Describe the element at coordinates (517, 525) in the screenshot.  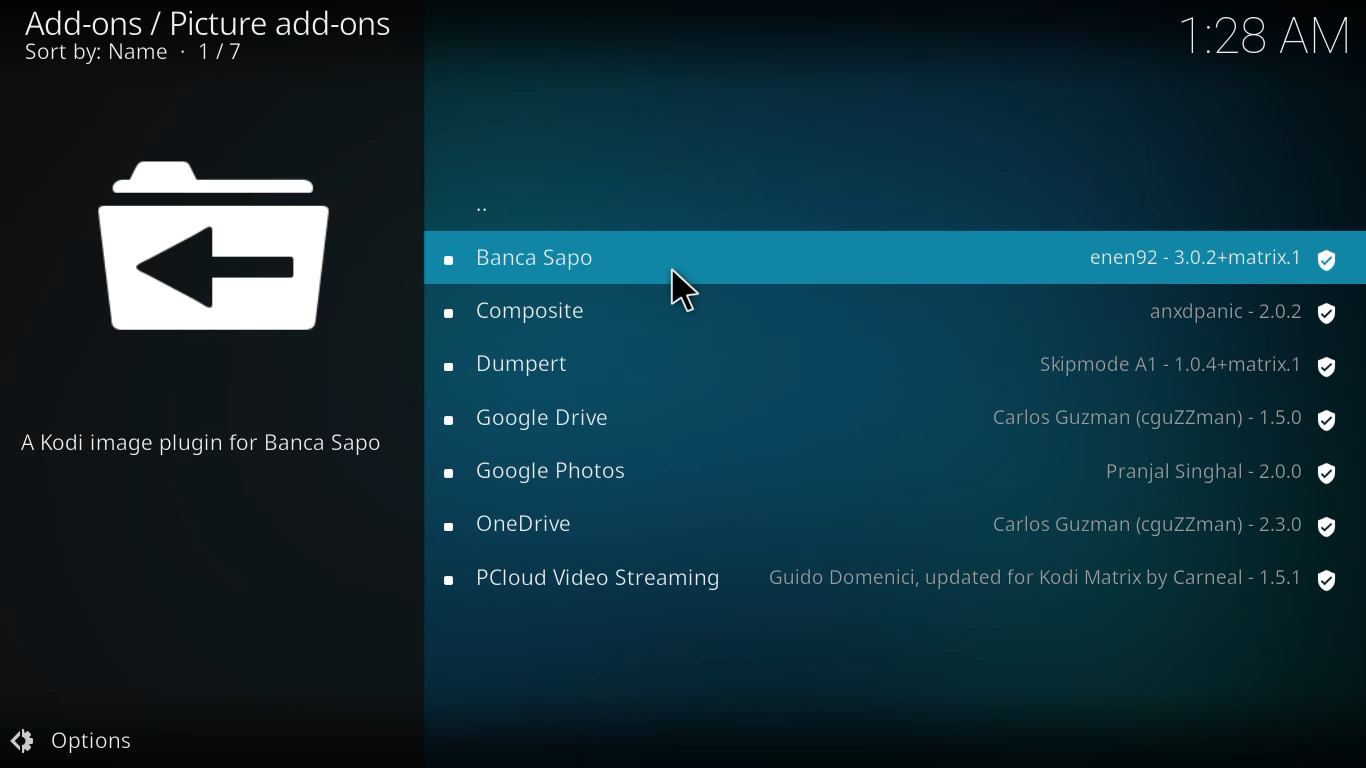
I see `one drive` at that location.